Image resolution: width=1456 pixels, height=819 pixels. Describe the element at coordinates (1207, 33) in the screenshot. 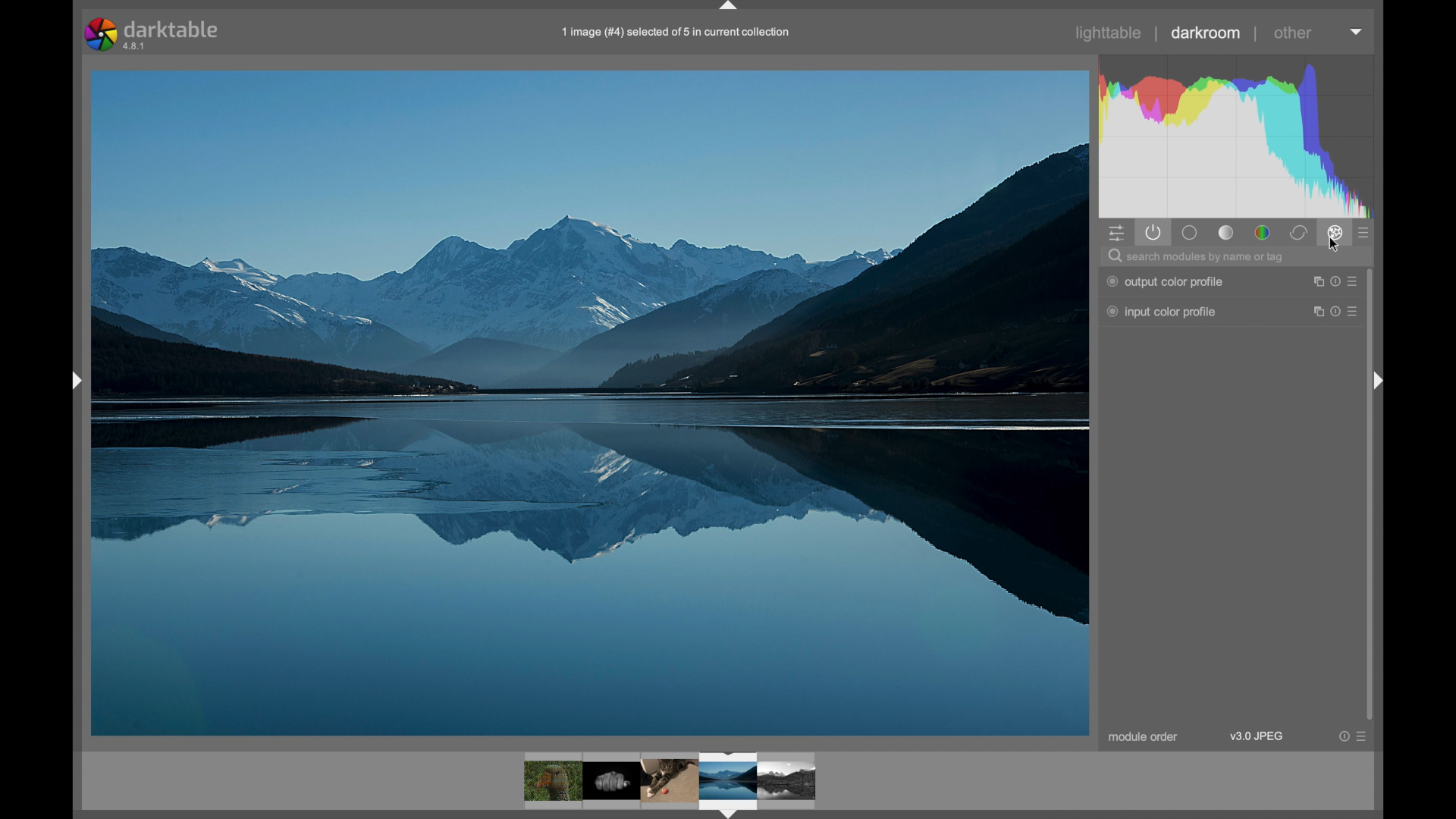

I see `darkroom` at that location.